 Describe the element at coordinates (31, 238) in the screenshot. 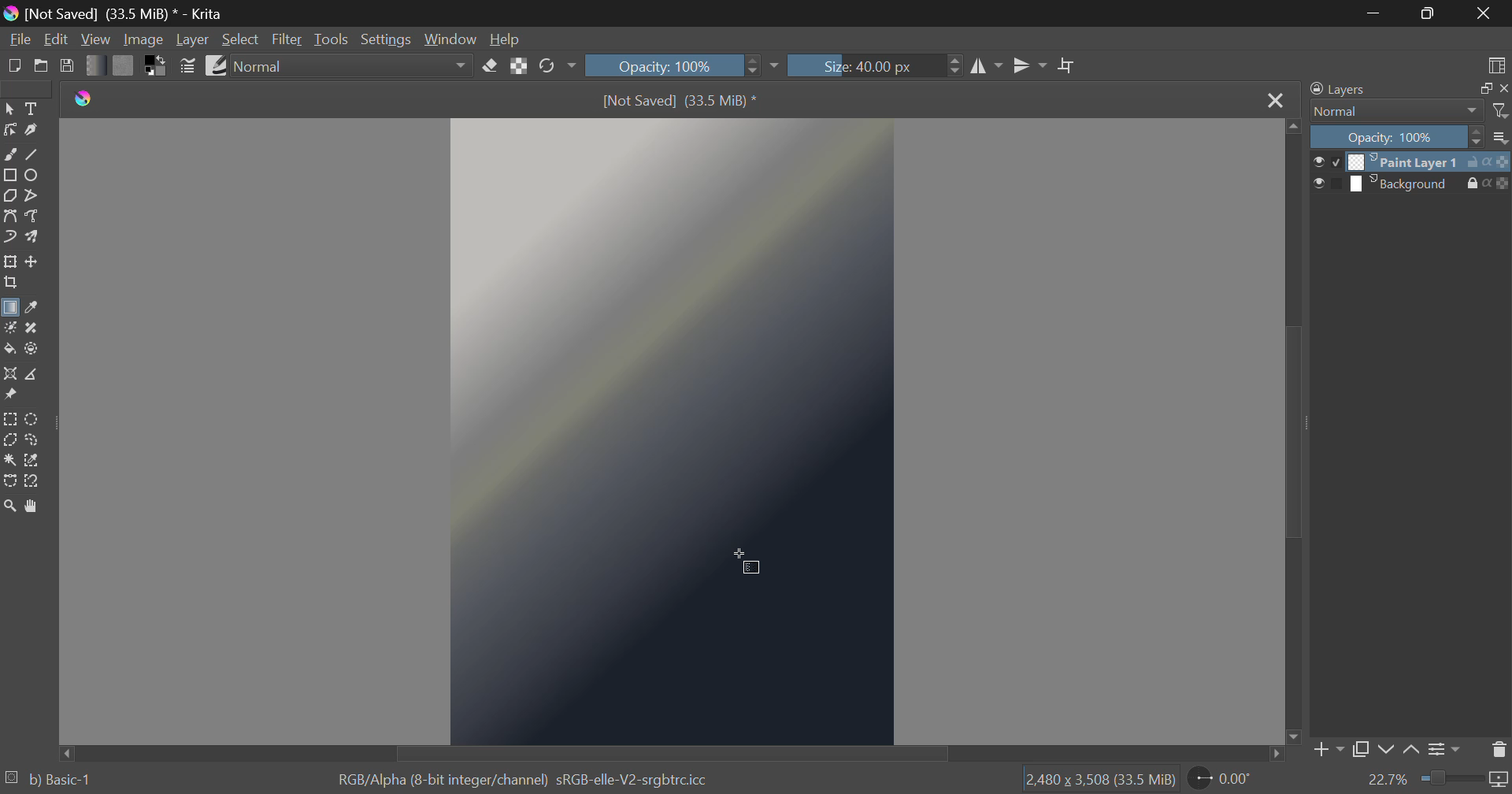

I see `Multibrush Tool` at that location.